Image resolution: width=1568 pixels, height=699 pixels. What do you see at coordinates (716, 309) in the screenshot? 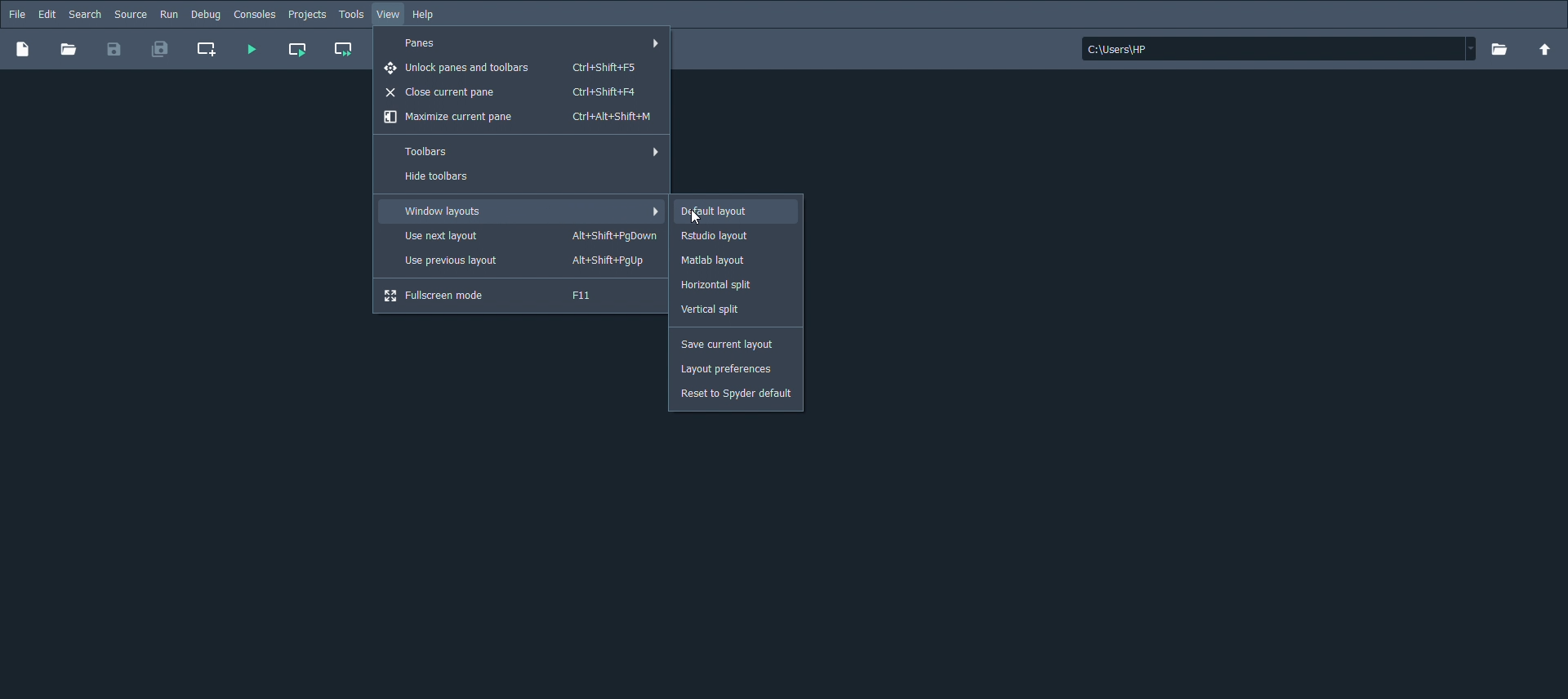
I see `Vertical split` at bounding box center [716, 309].